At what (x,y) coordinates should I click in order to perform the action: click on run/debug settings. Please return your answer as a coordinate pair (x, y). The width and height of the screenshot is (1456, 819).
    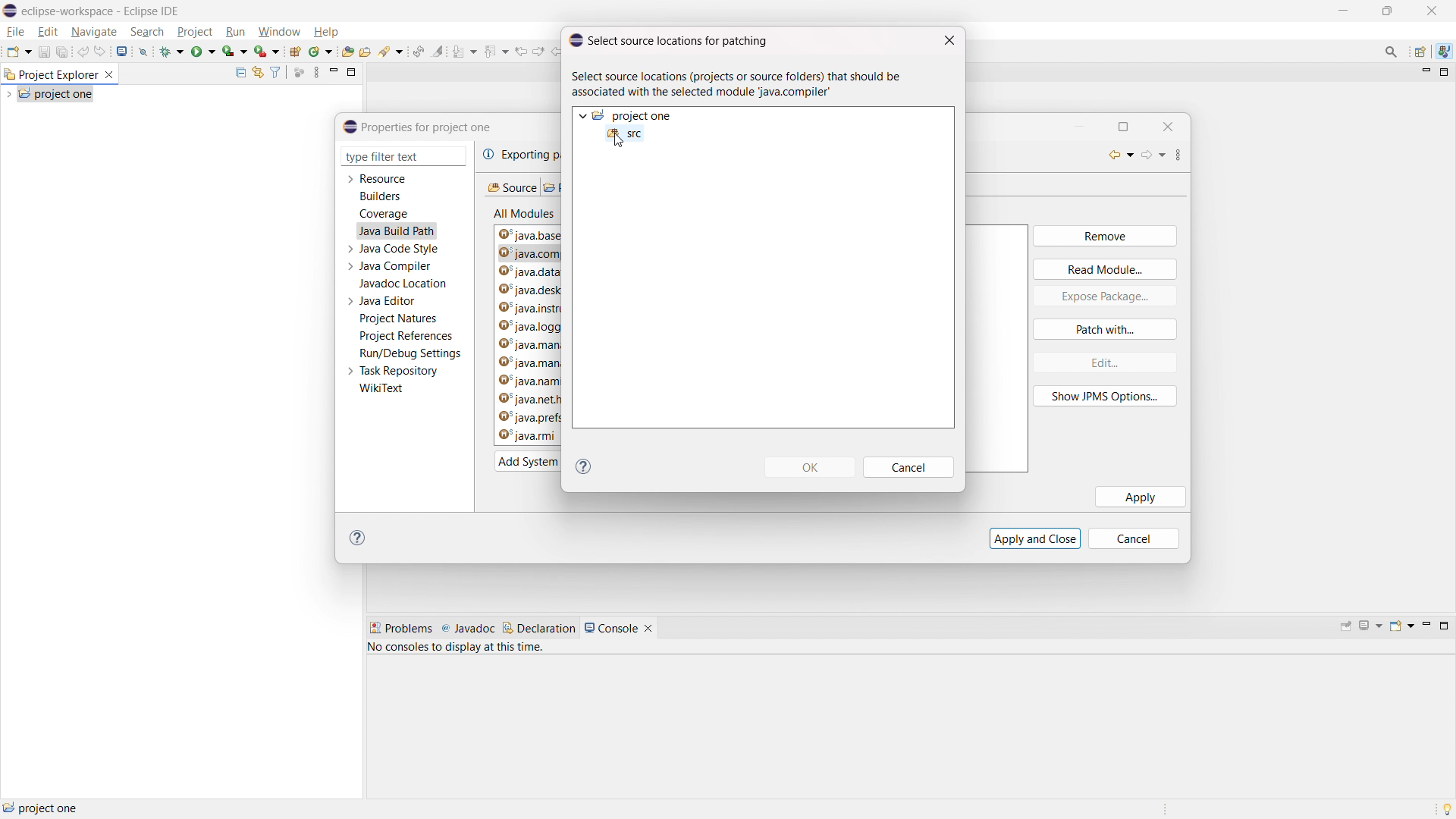
    Looking at the image, I should click on (411, 353).